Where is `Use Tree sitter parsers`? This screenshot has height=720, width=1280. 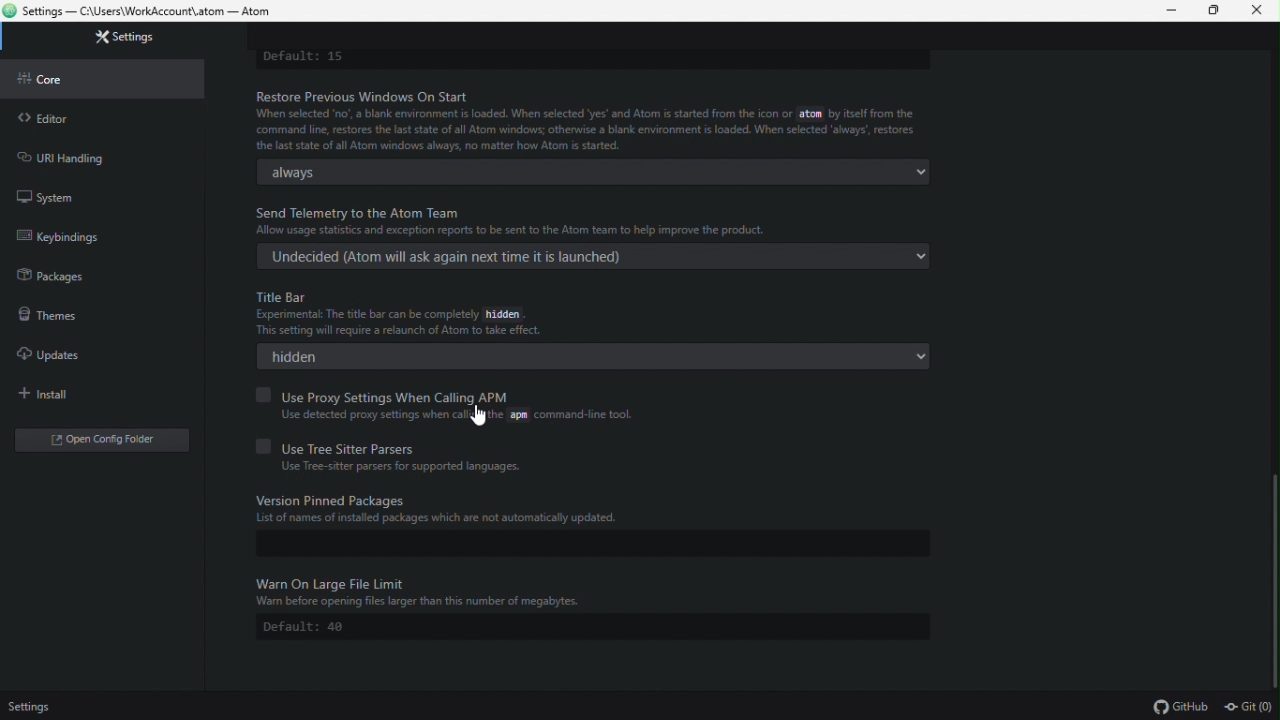 Use Tree sitter parsers is located at coordinates (379, 445).